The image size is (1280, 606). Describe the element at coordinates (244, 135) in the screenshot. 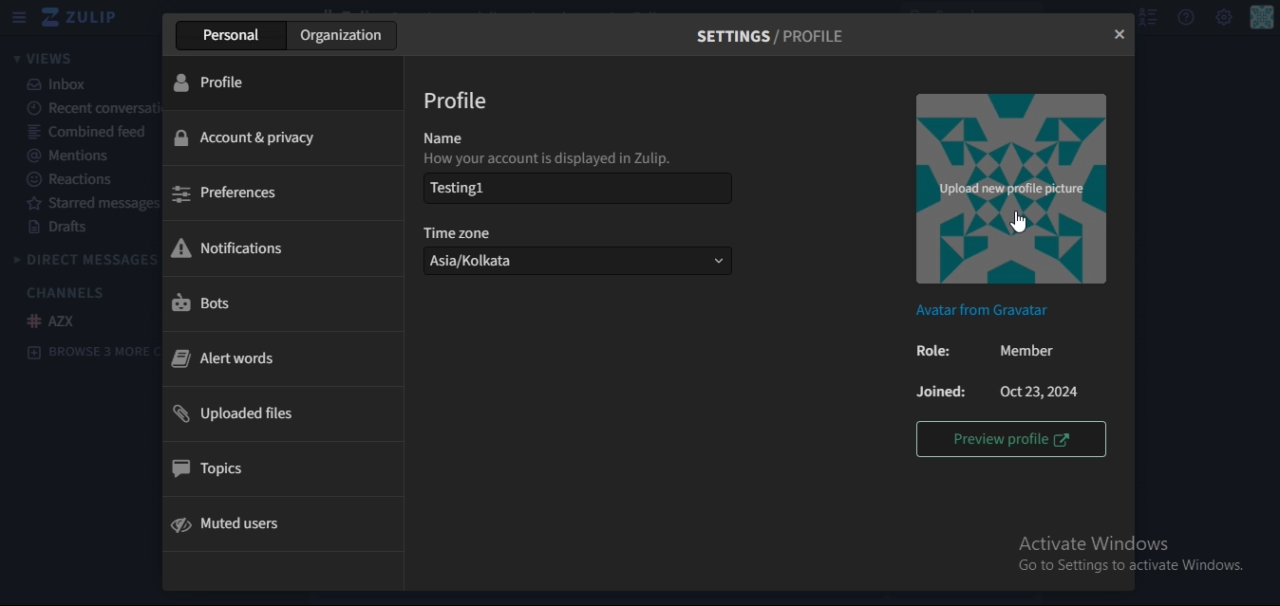

I see `account & privacy` at that location.